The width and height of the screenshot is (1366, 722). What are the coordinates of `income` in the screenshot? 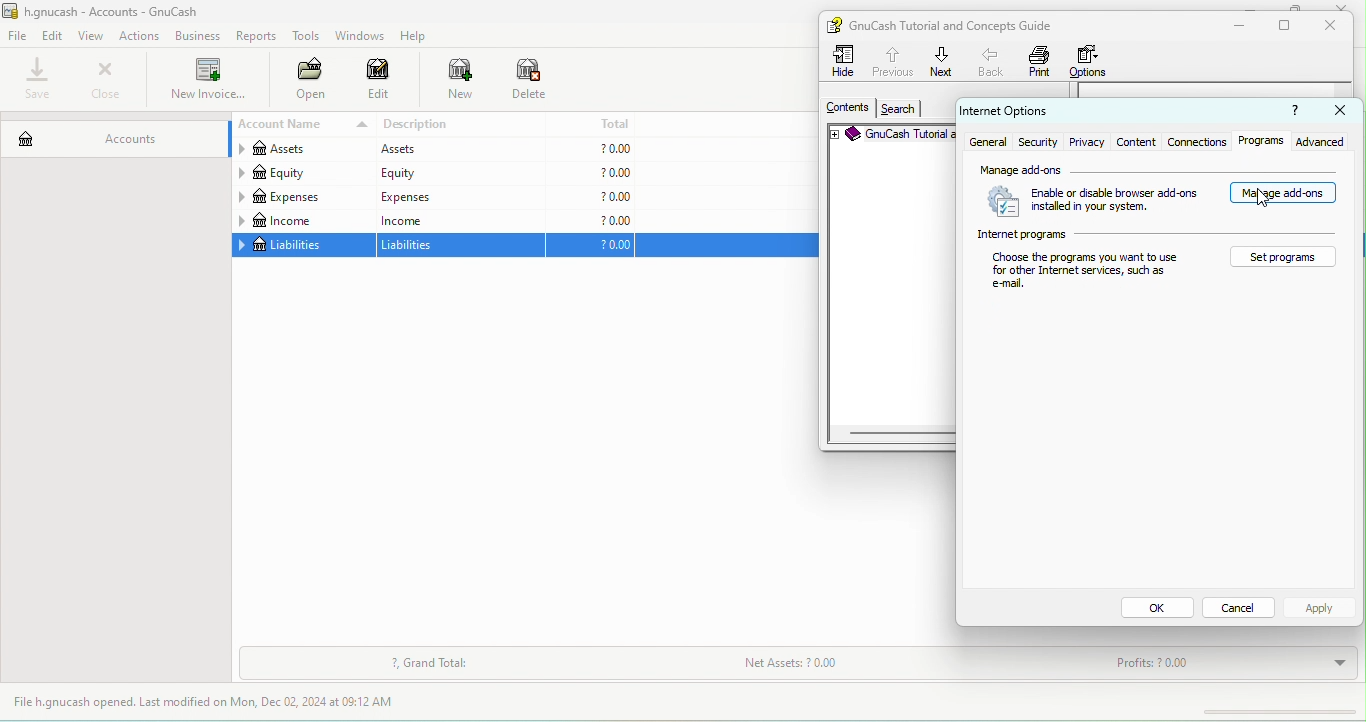 It's located at (458, 220).